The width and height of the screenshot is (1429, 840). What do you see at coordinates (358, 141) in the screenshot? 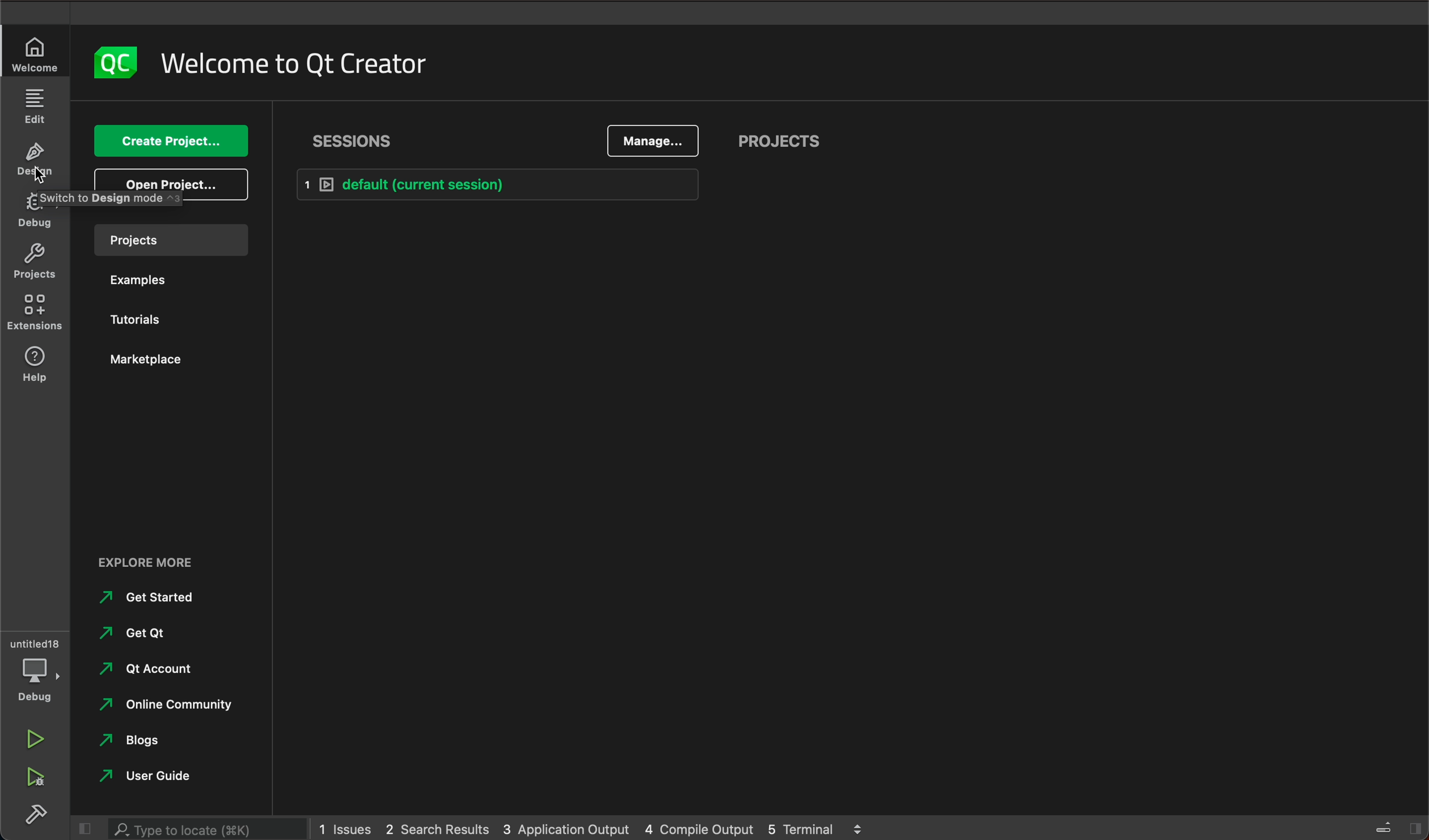
I see `sessions` at bounding box center [358, 141].